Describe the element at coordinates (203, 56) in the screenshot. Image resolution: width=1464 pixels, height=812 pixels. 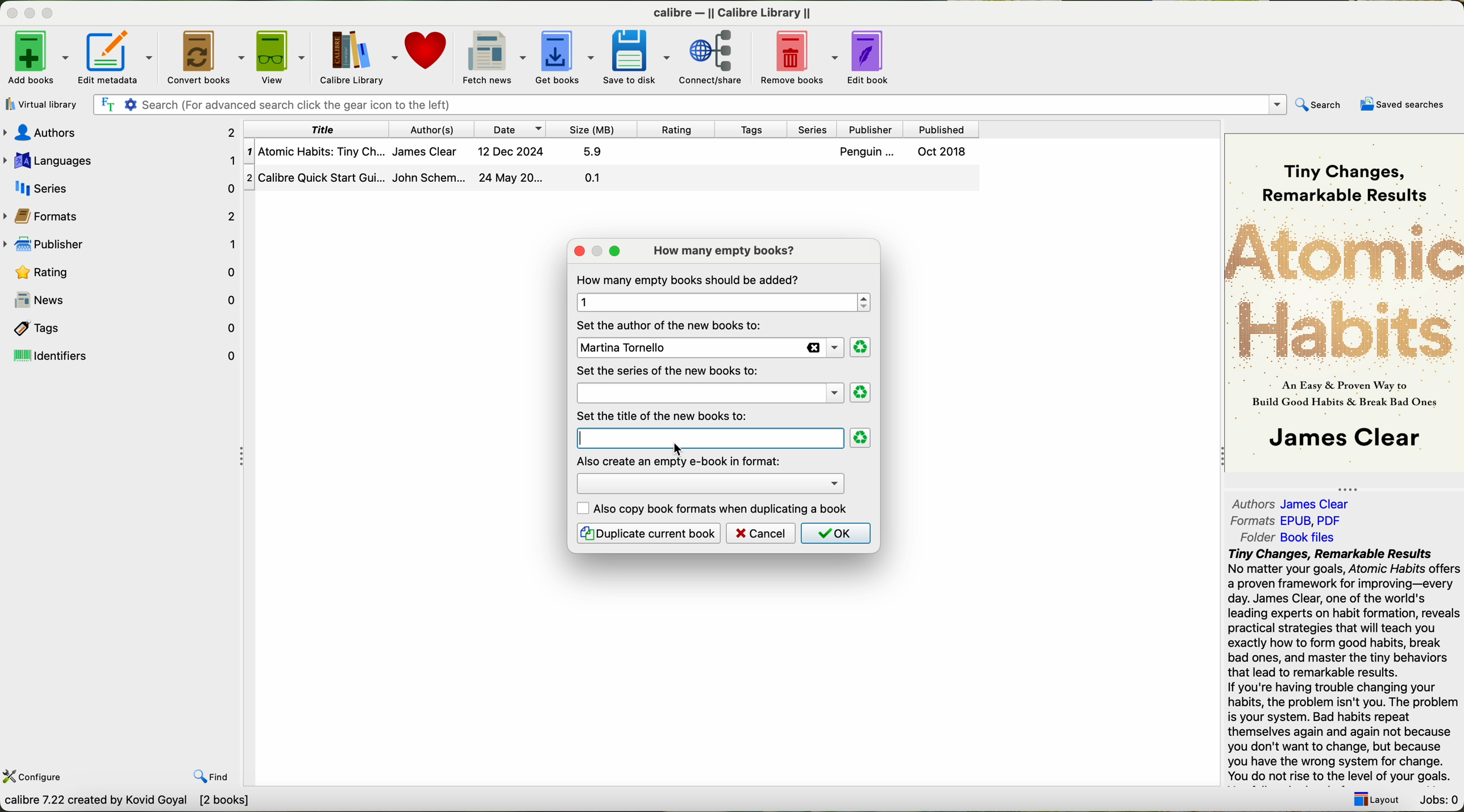
I see `convert books` at that location.